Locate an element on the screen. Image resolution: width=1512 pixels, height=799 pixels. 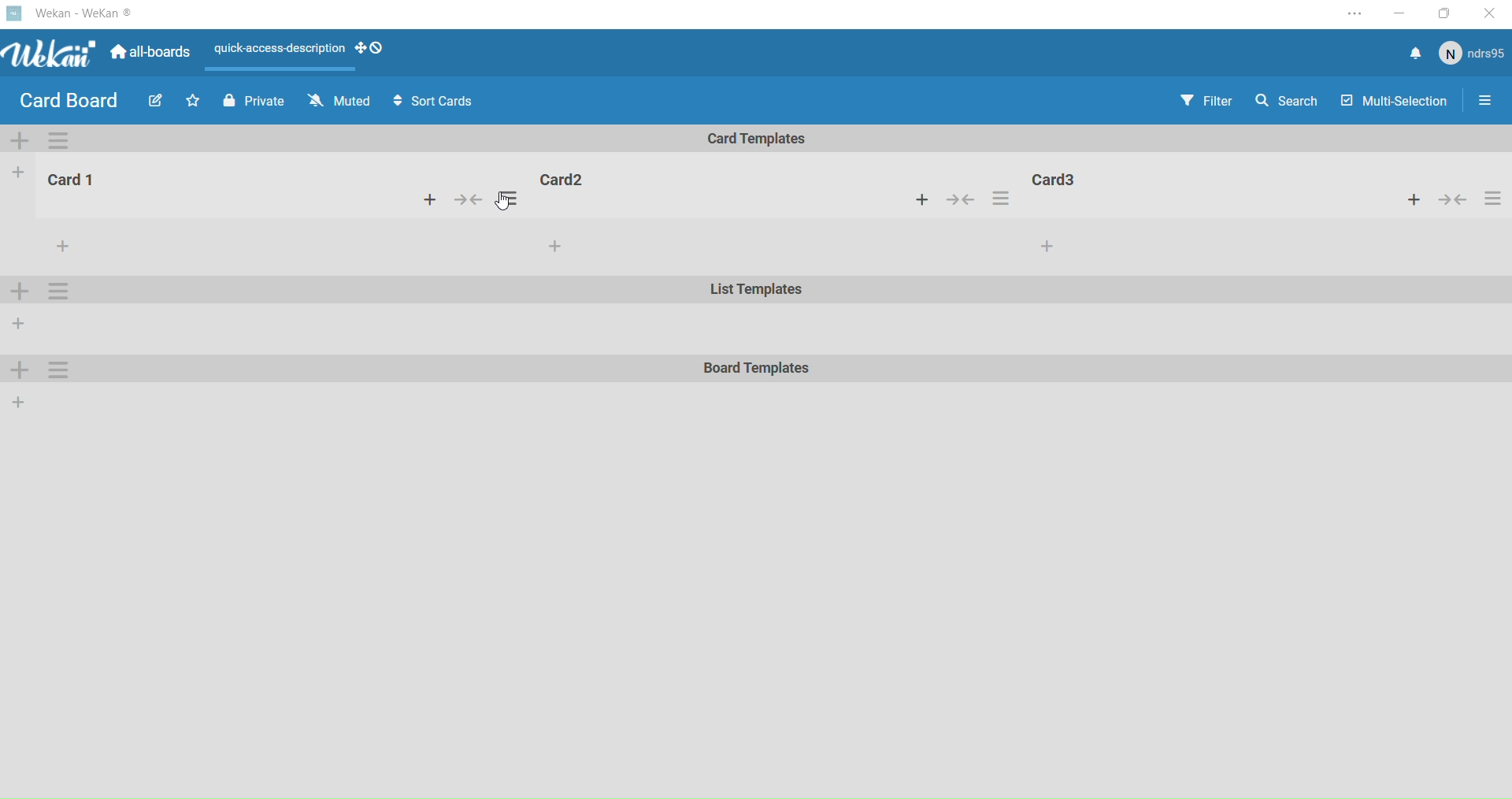
all boards is located at coordinates (150, 57).